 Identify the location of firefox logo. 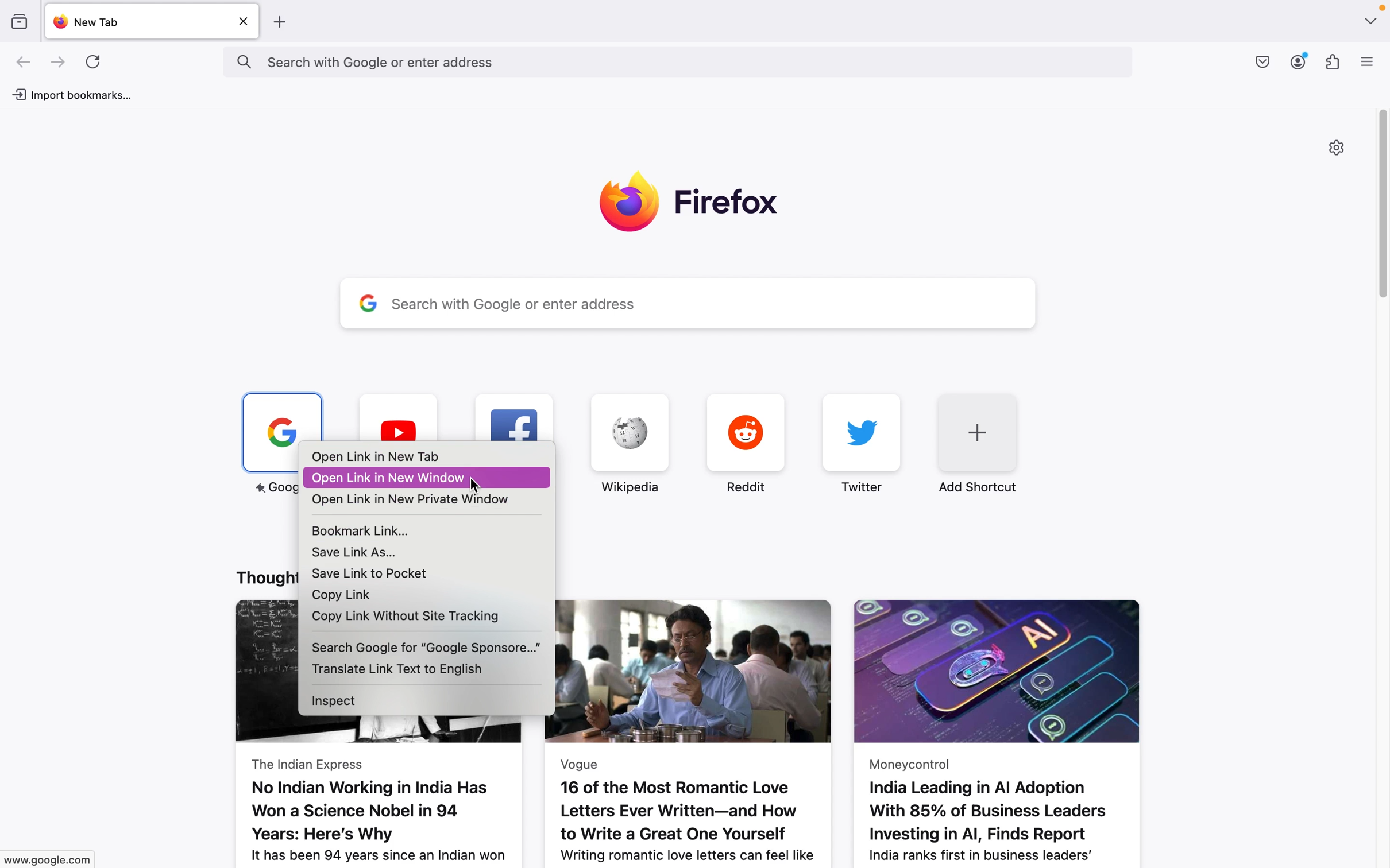
(690, 206).